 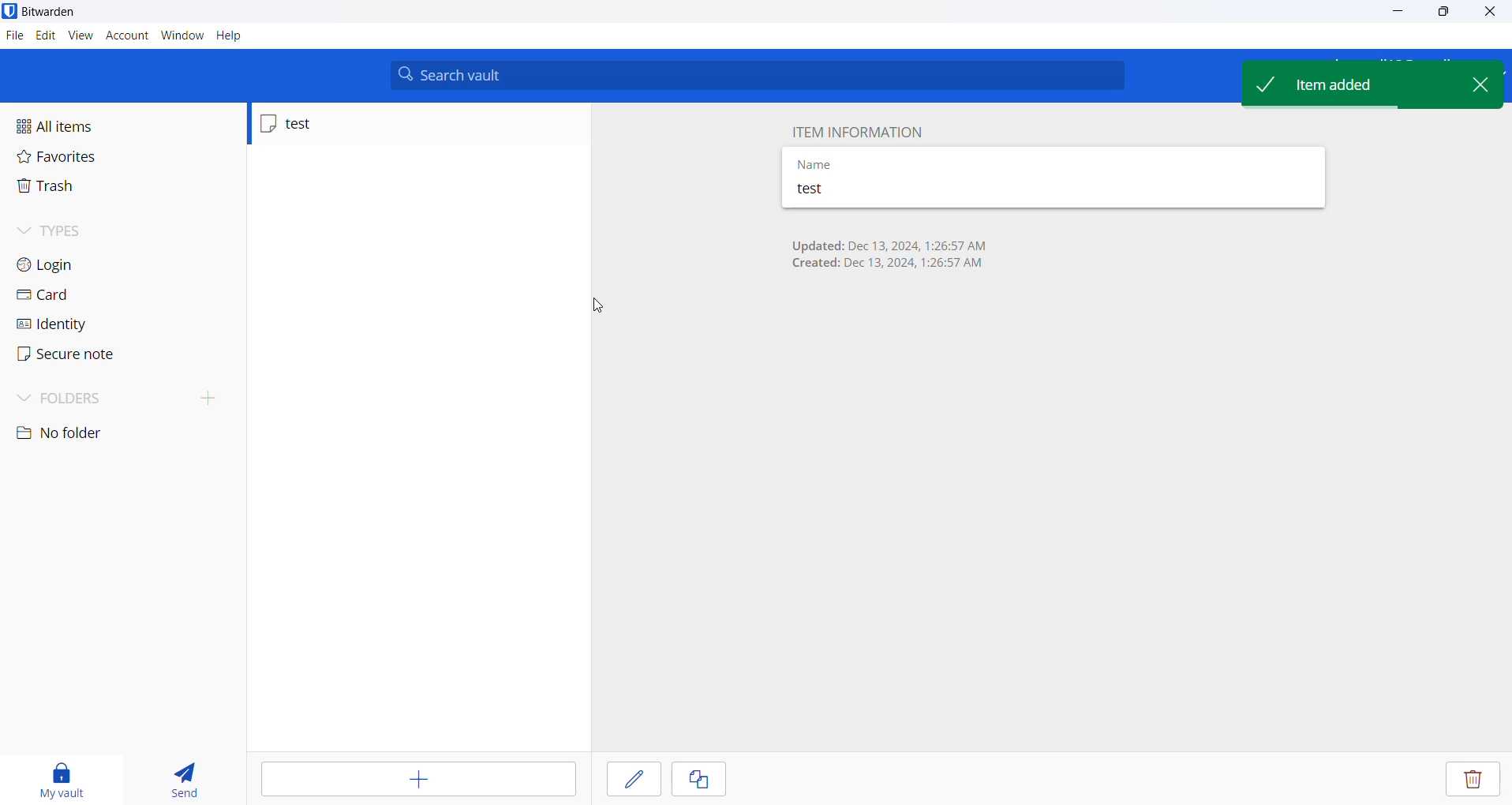 I want to click on delete, so click(x=1474, y=781).